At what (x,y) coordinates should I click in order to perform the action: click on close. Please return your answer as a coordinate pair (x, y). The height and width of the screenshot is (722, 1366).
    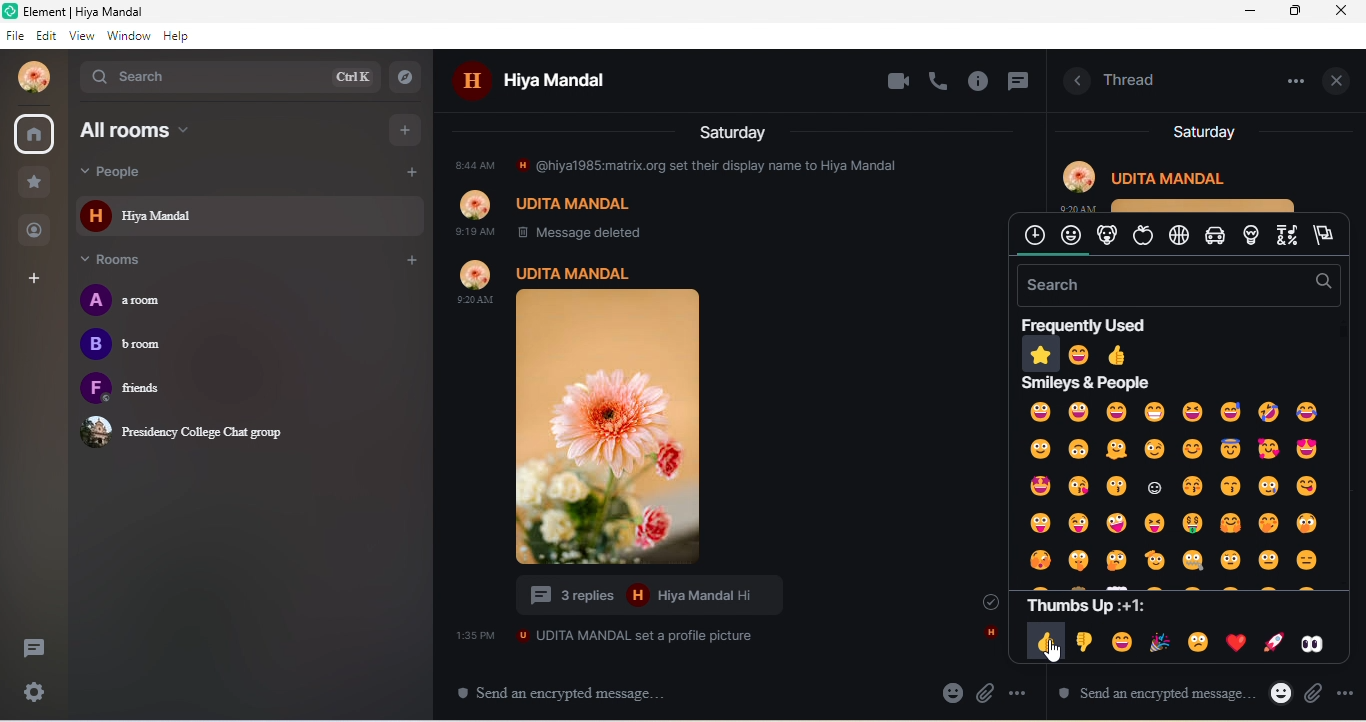
    Looking at the image, I should click on (1340, 79).